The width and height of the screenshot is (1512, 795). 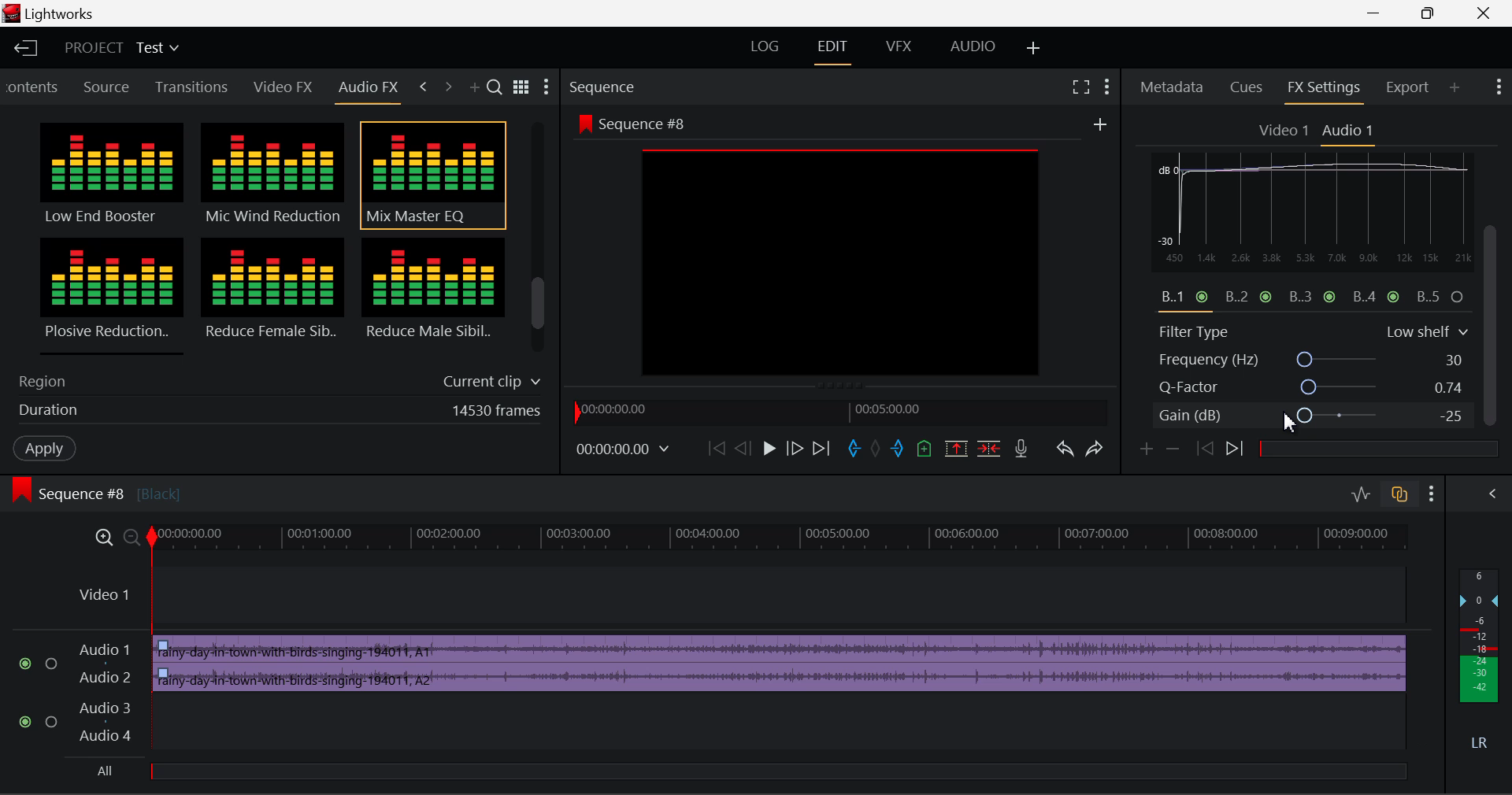 I want to click on Next keyframe, so click(x=1238, y=449).